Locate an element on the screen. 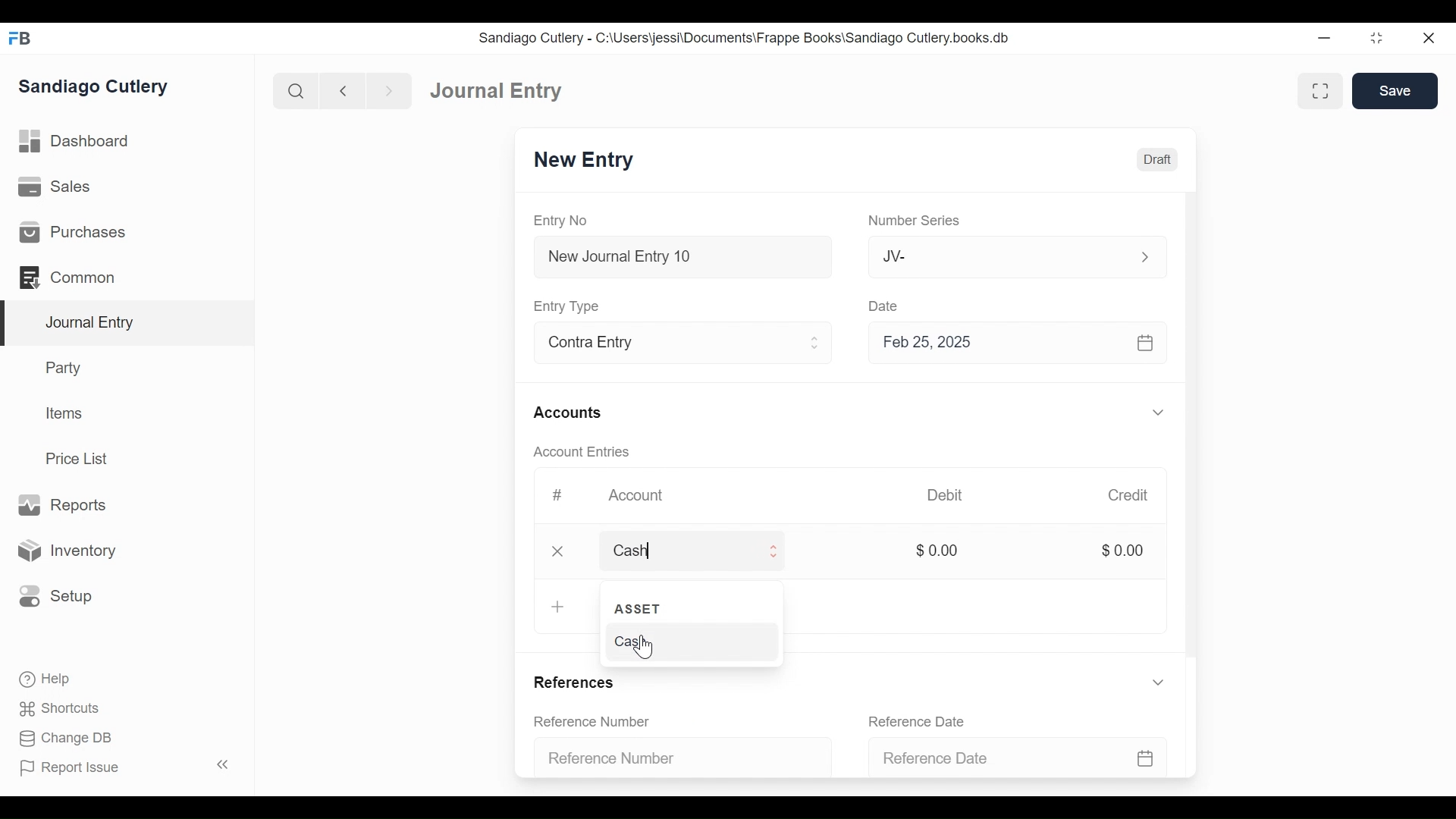 This screenshot has width=1456, height=819. Journal Entry is located at coordinates (499, 92).